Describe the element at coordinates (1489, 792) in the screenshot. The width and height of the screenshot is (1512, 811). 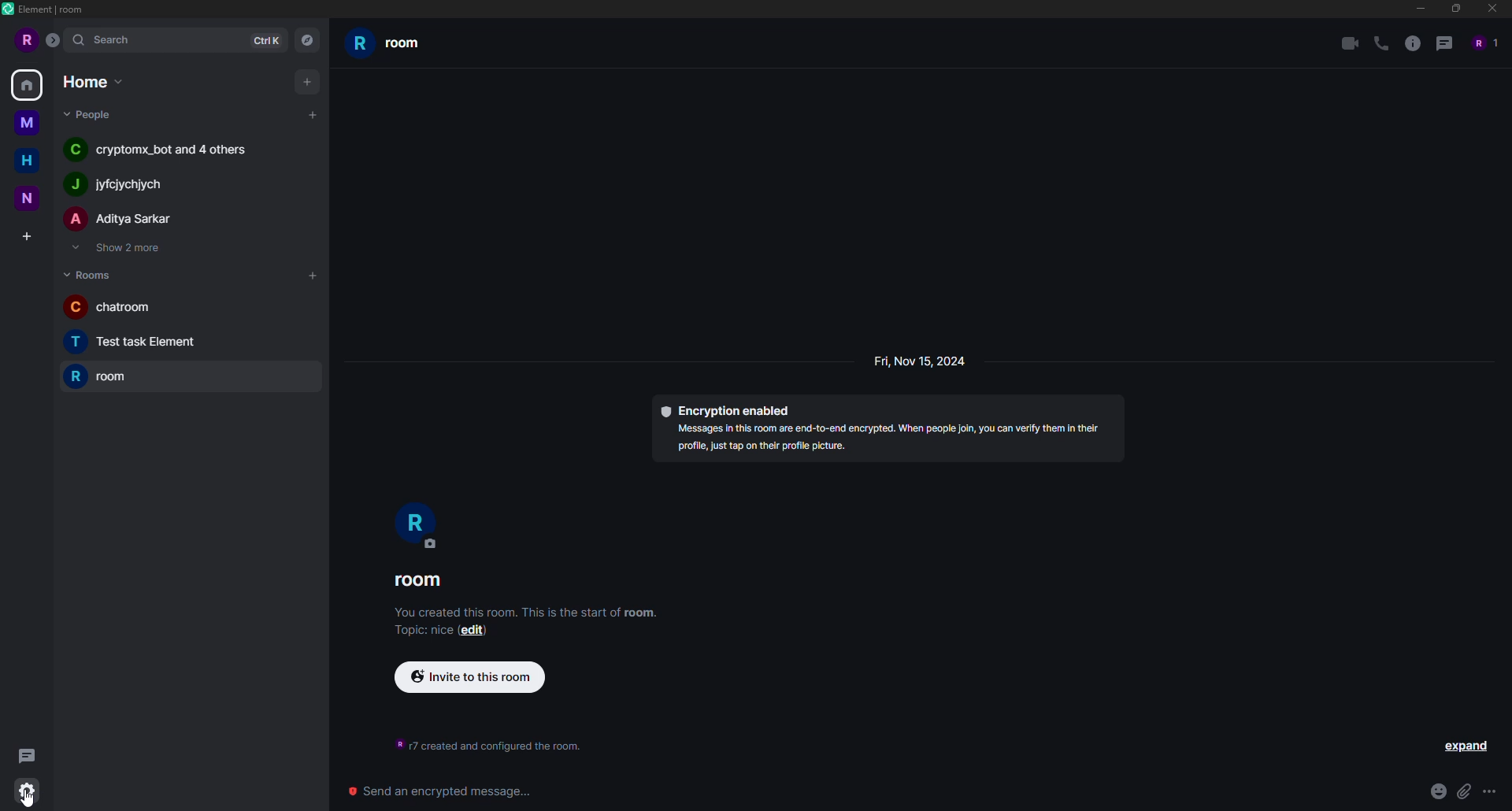
I see `more` at that location.